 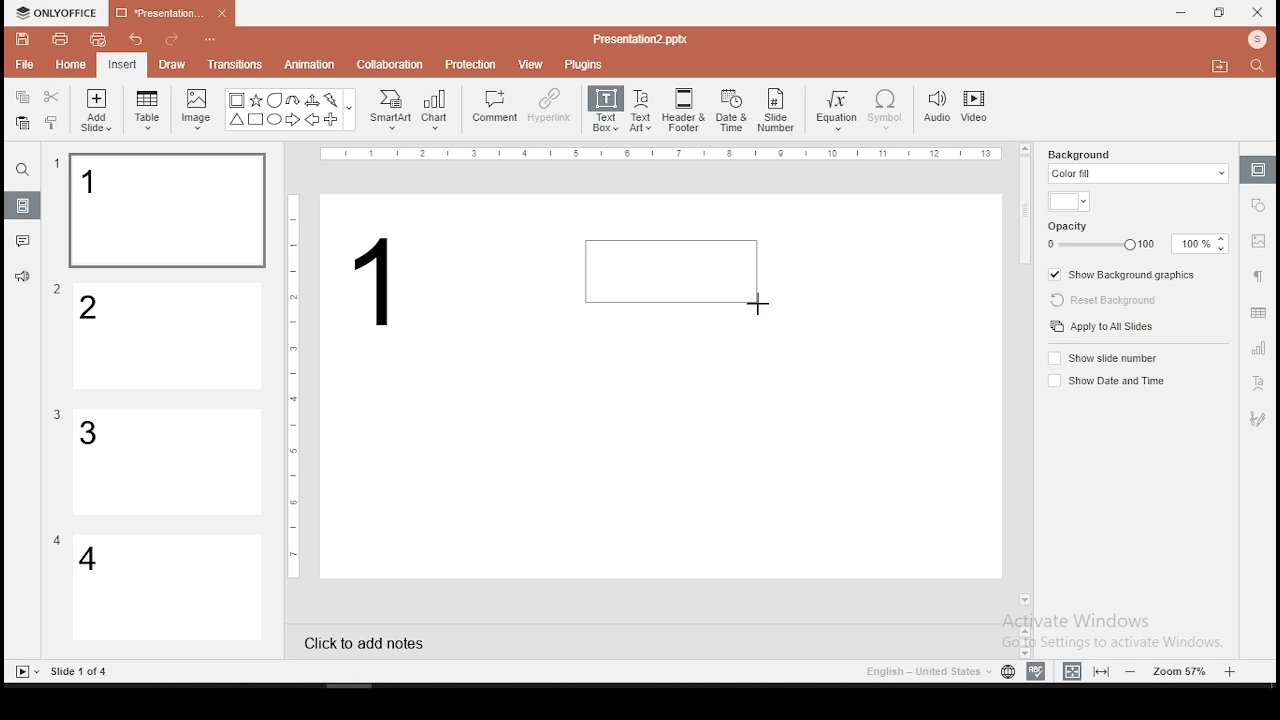 What do you see at coordinates (937, 108) in the screenshot?
I see `audio` at bounding box center [937, 108].